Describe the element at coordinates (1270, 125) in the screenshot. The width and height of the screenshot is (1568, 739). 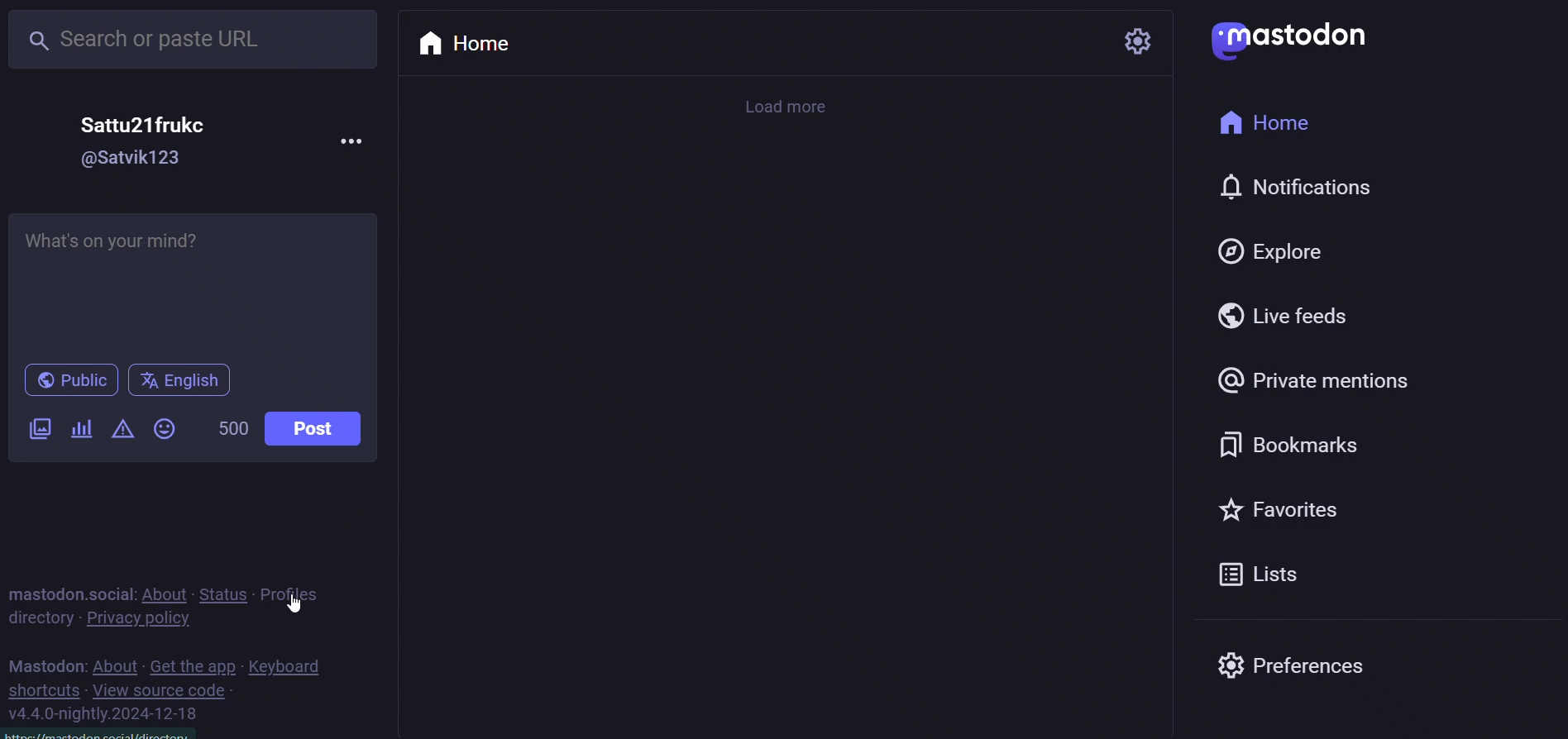
I see `home` at that location.